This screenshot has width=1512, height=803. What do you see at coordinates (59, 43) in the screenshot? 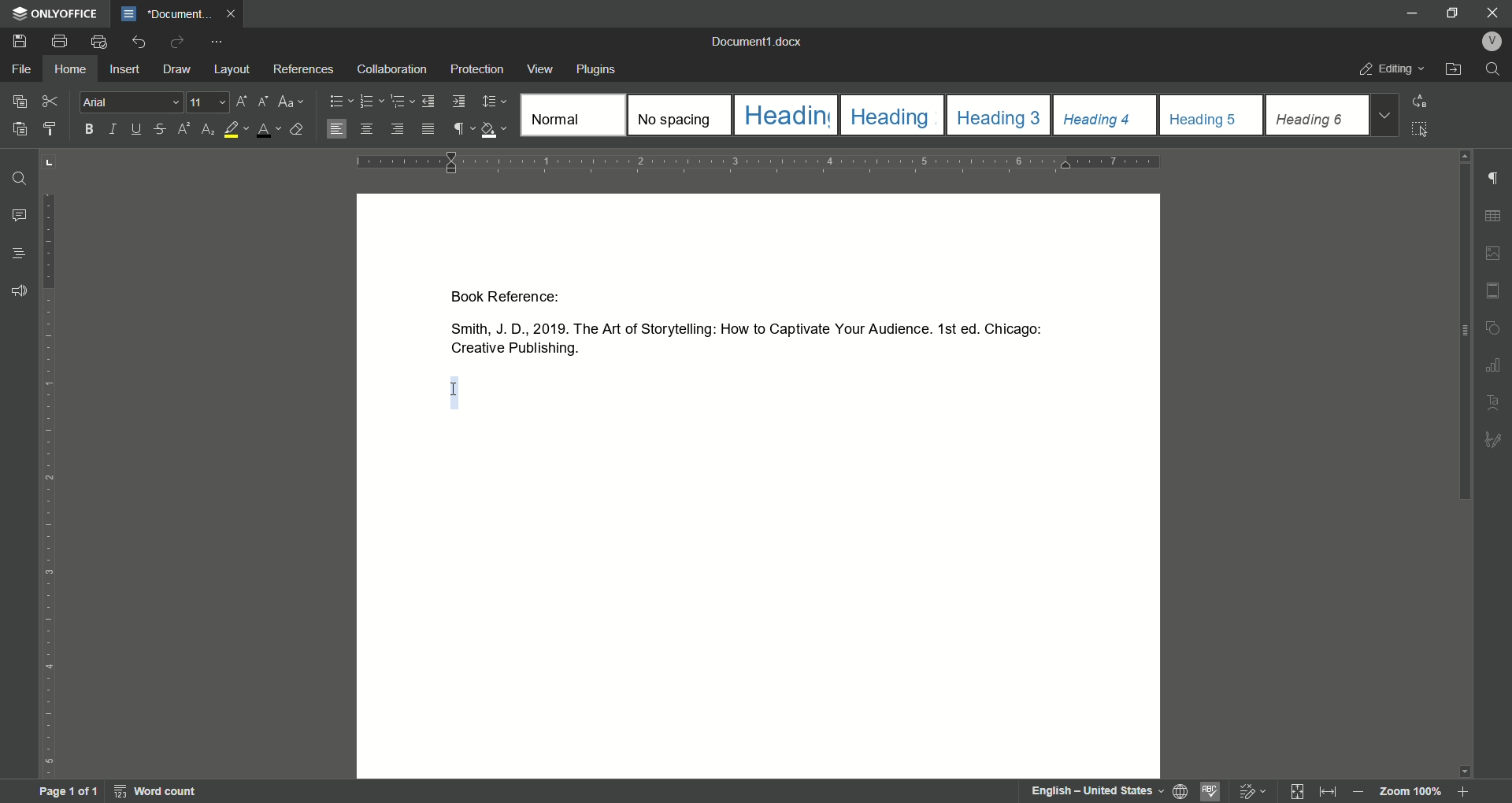
I see `print` at bounding box center [59, 43].